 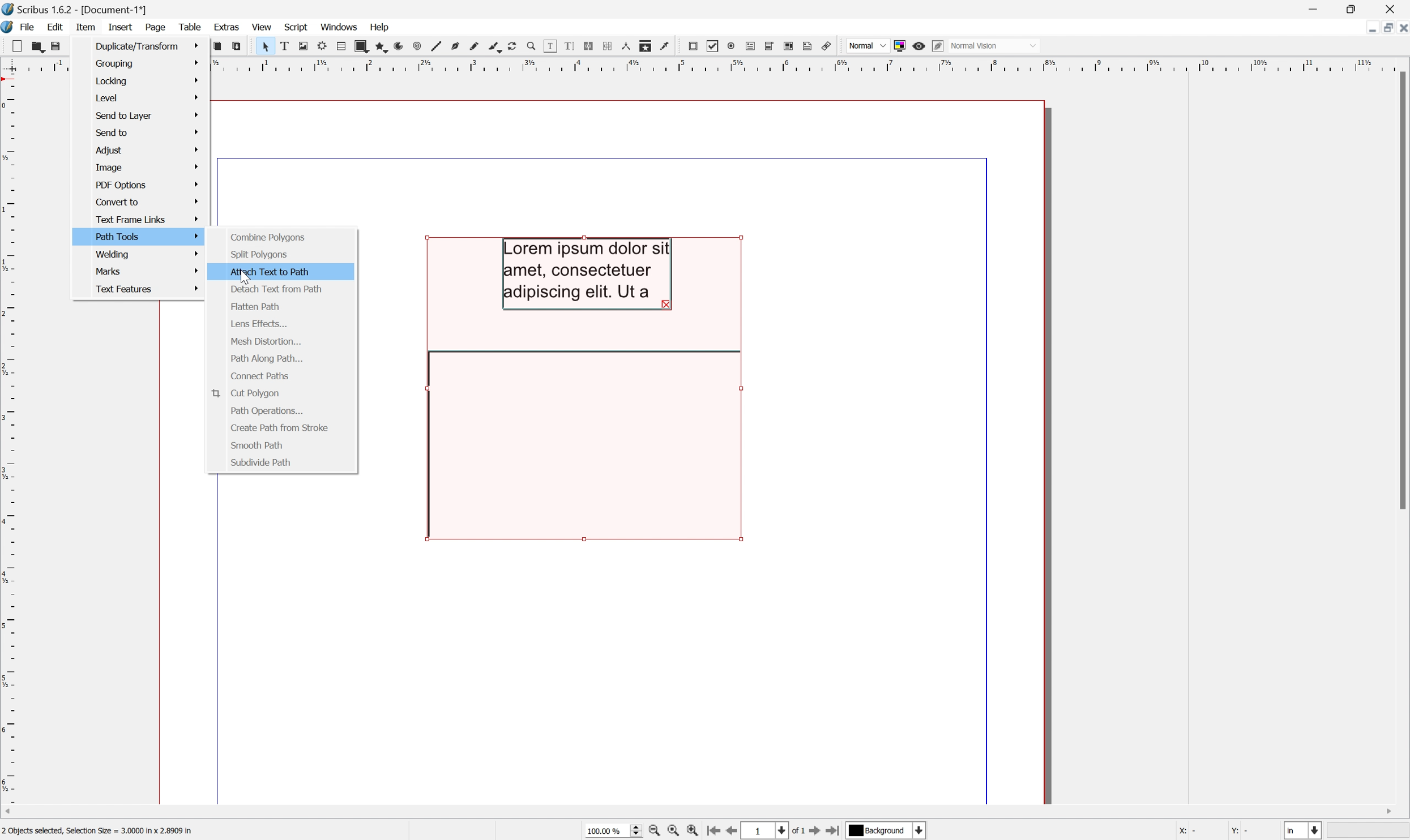 What do you see at coordinates (320, 48) in the screenshot?
I see `Render frame` at bounding box center [320, 48].